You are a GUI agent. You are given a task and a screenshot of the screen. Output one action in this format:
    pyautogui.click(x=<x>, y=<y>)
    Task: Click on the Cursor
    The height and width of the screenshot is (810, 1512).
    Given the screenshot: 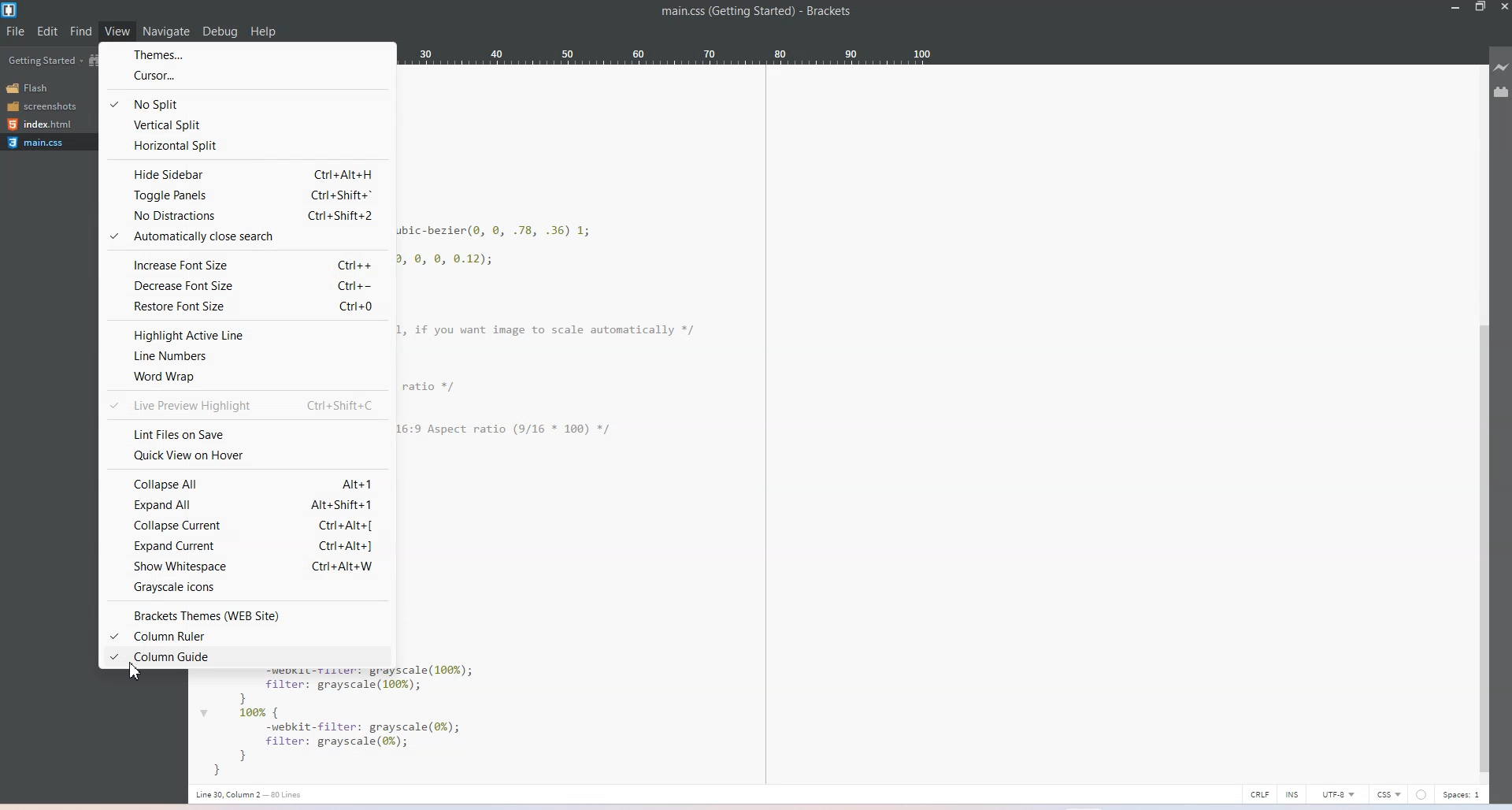 What is the action you would take?
    pyautogui.click(x=250, y=76)
    